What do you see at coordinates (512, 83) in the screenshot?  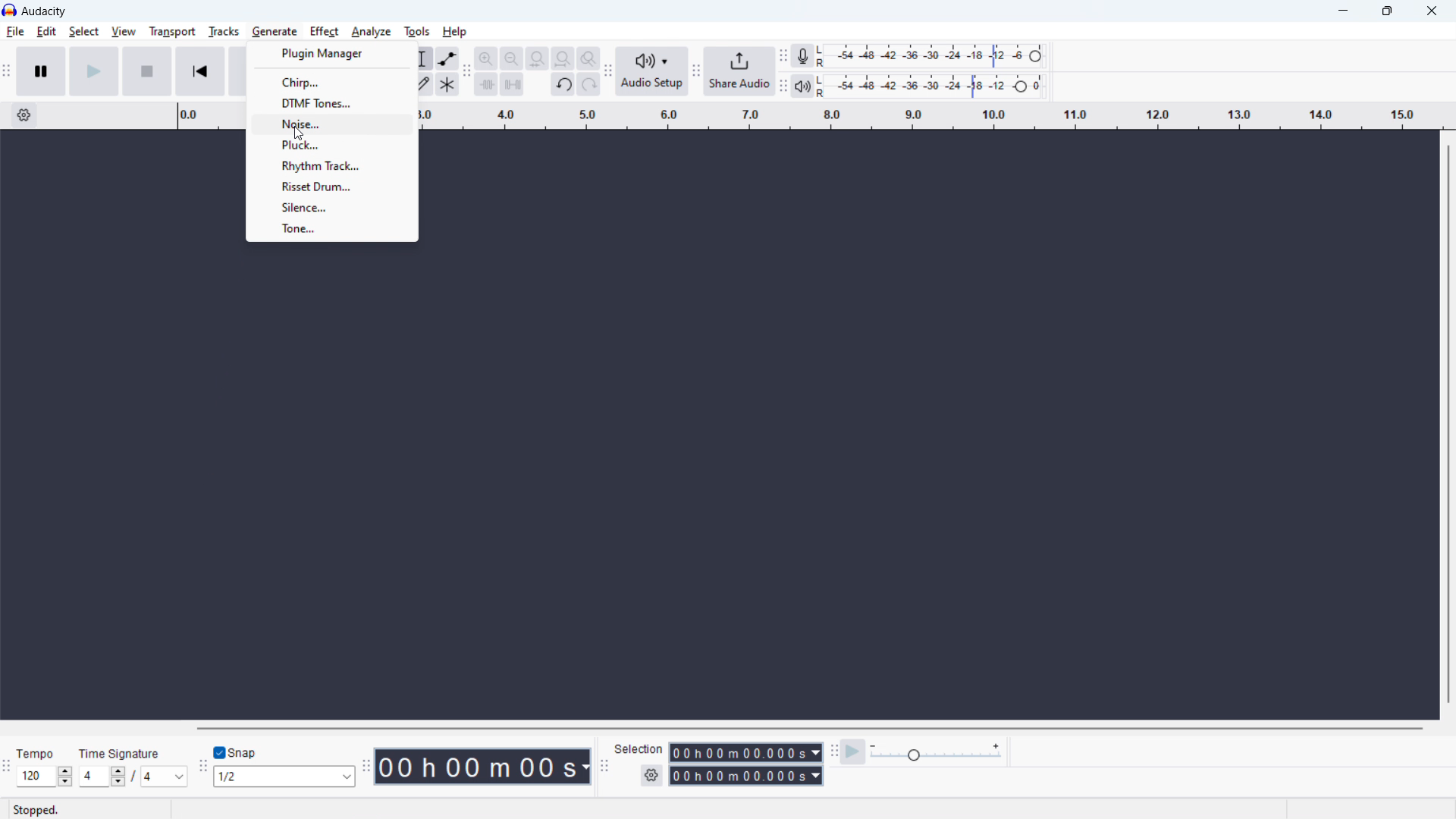 I see `silence audio selection` at bounding box center [512, 83].